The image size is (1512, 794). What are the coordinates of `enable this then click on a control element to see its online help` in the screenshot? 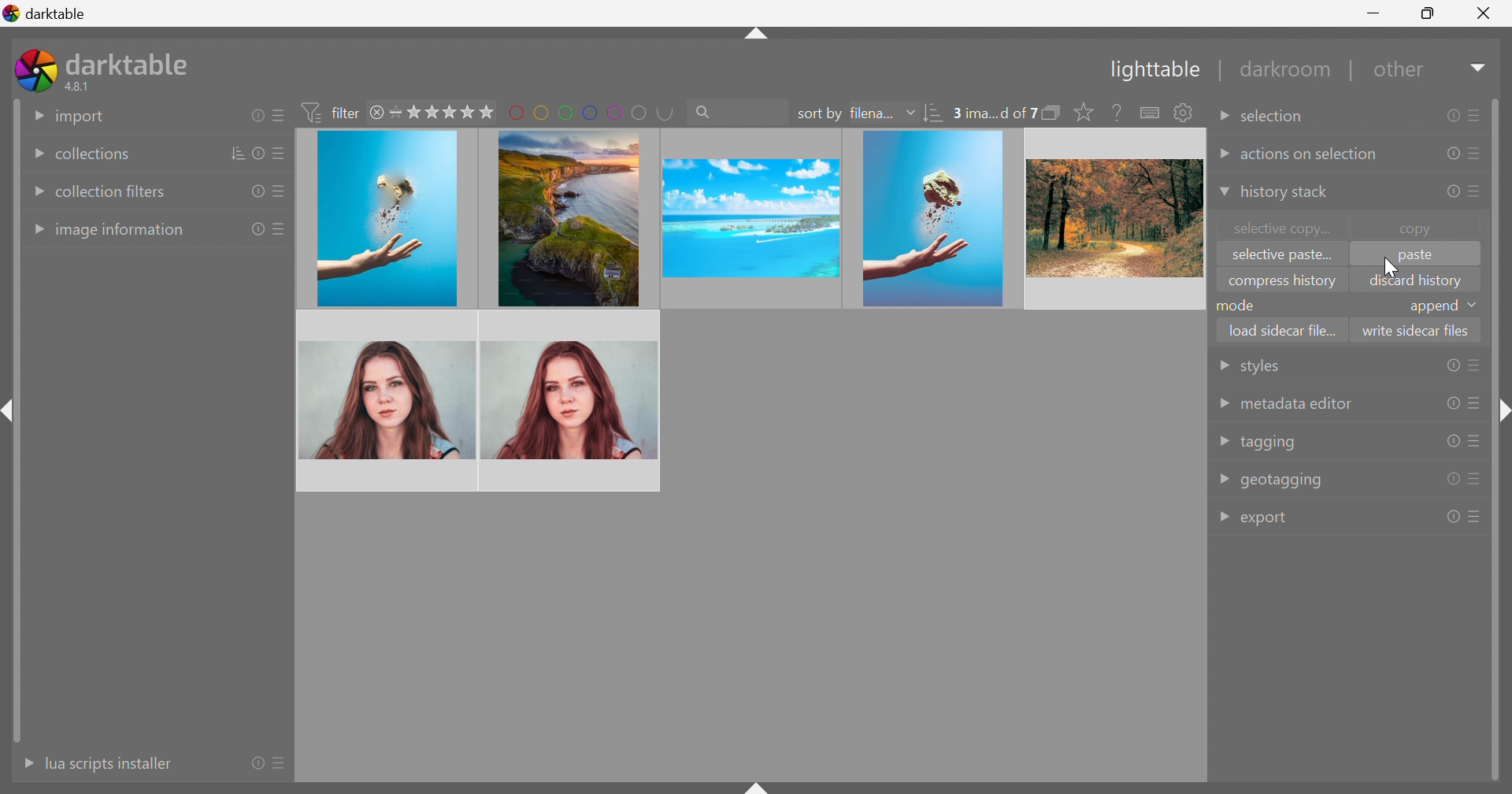 It's located at (1117, 112).